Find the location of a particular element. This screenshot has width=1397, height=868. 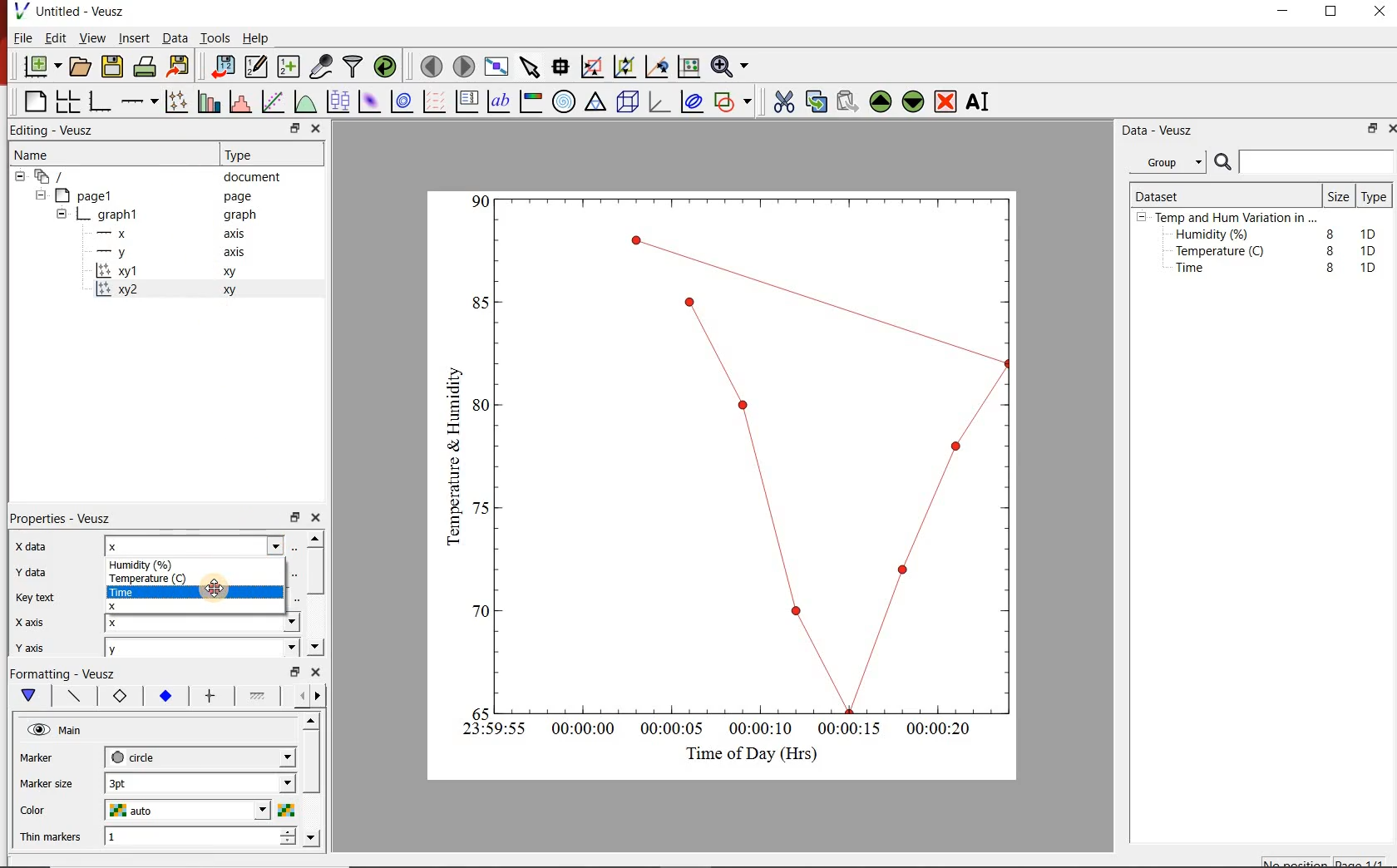

1 is located at coordinates (481, 200).